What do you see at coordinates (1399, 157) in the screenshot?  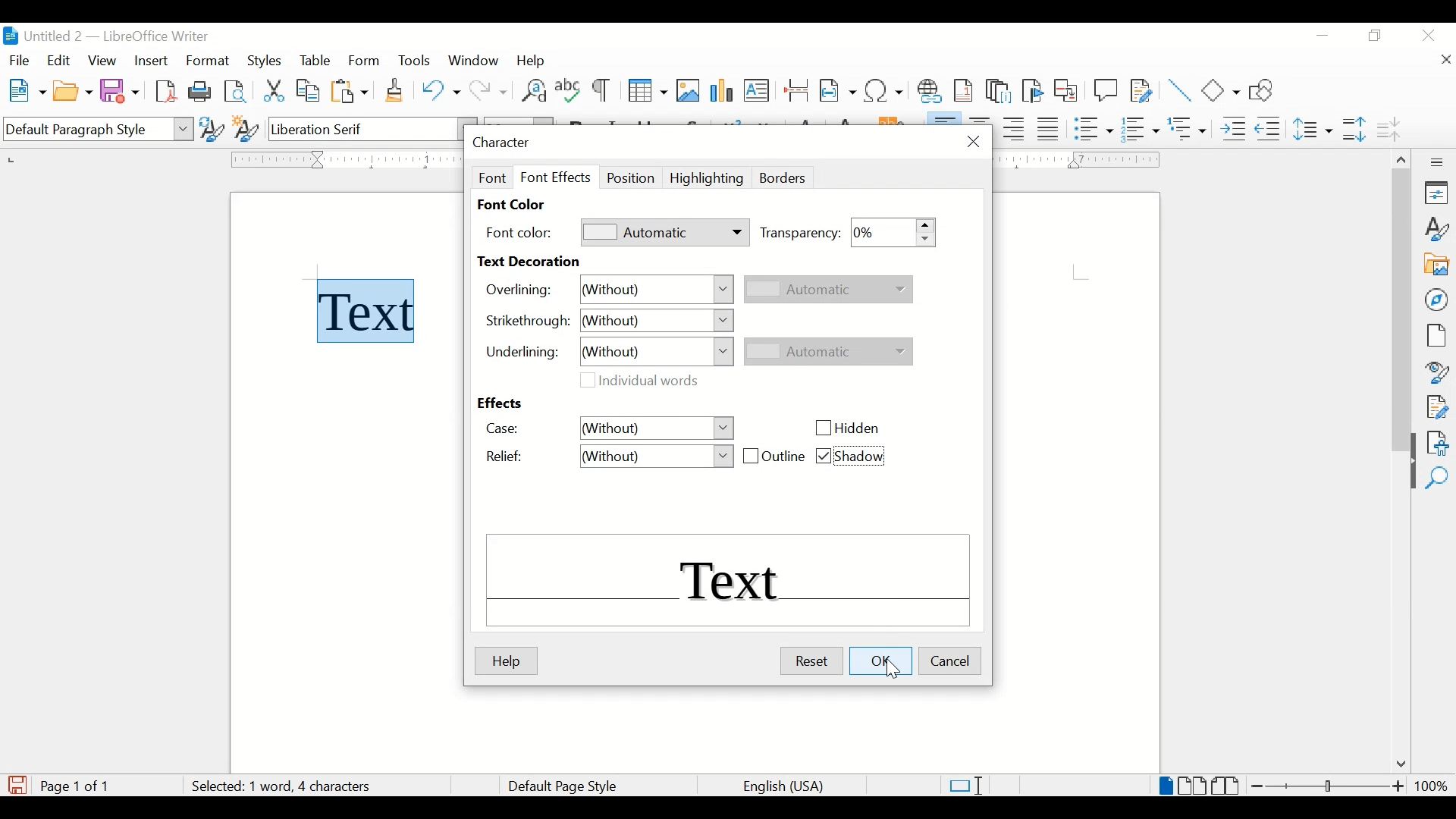 I see `scroll up arrow` at bounding box center [1399, 157].